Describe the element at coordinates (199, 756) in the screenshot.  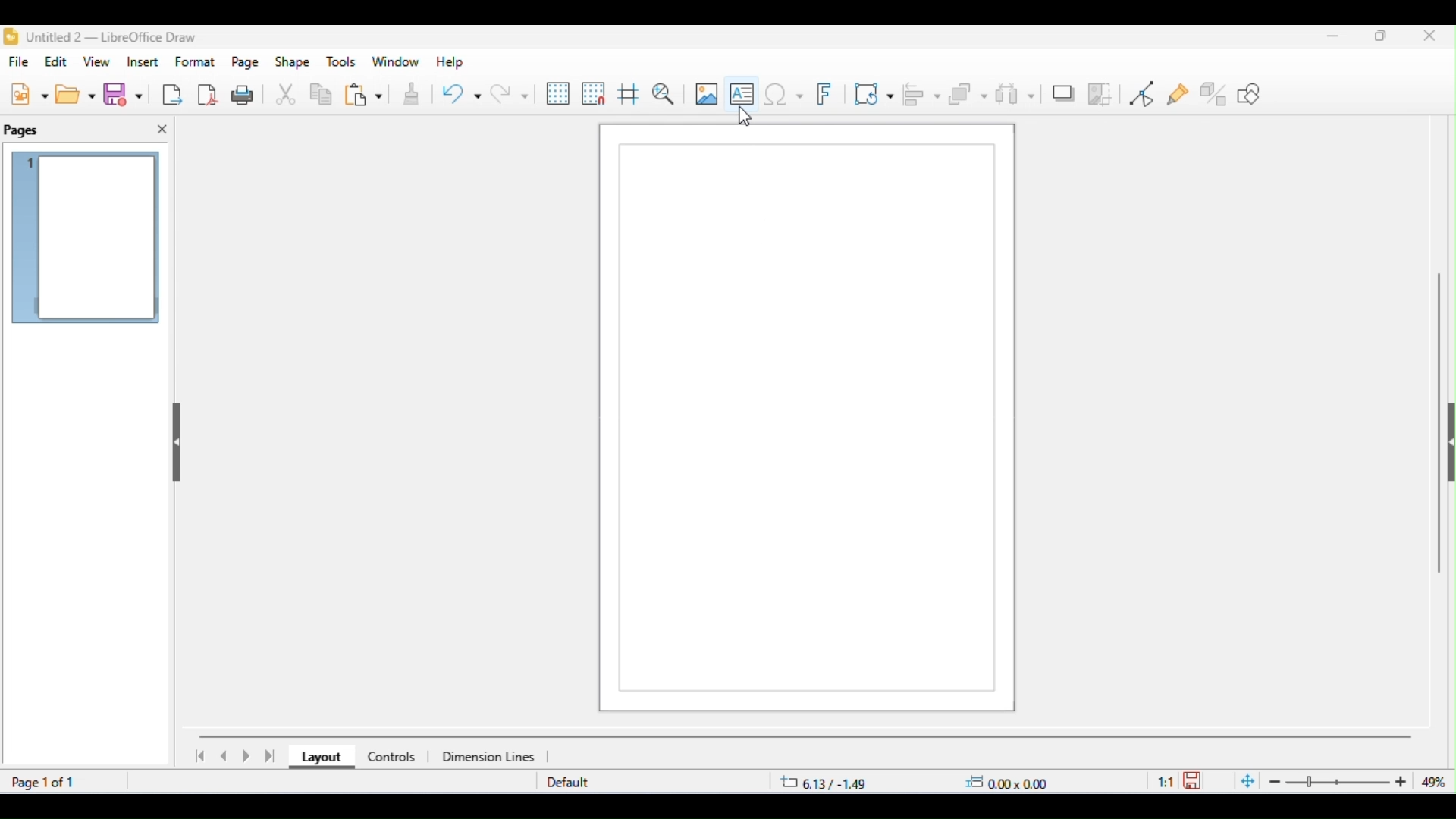
I see `first page` at that location.